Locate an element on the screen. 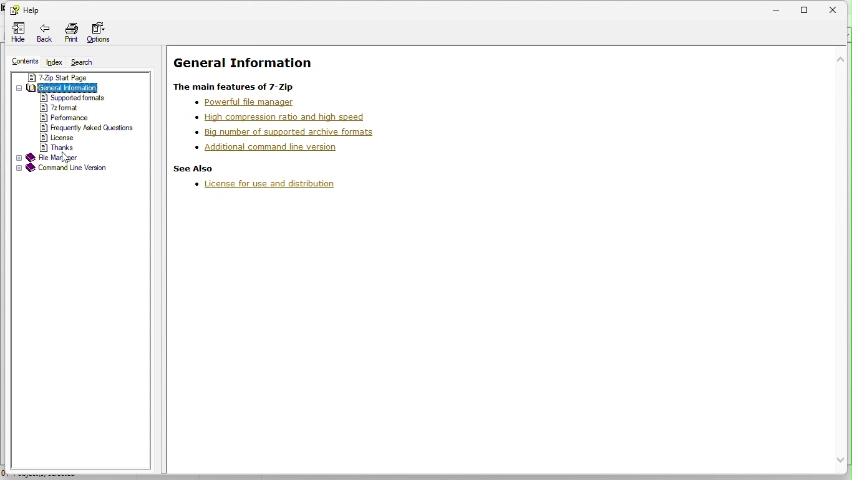 The height and width of the screenshot is (480, 852). Minimize is located at coordinates (777, 8).